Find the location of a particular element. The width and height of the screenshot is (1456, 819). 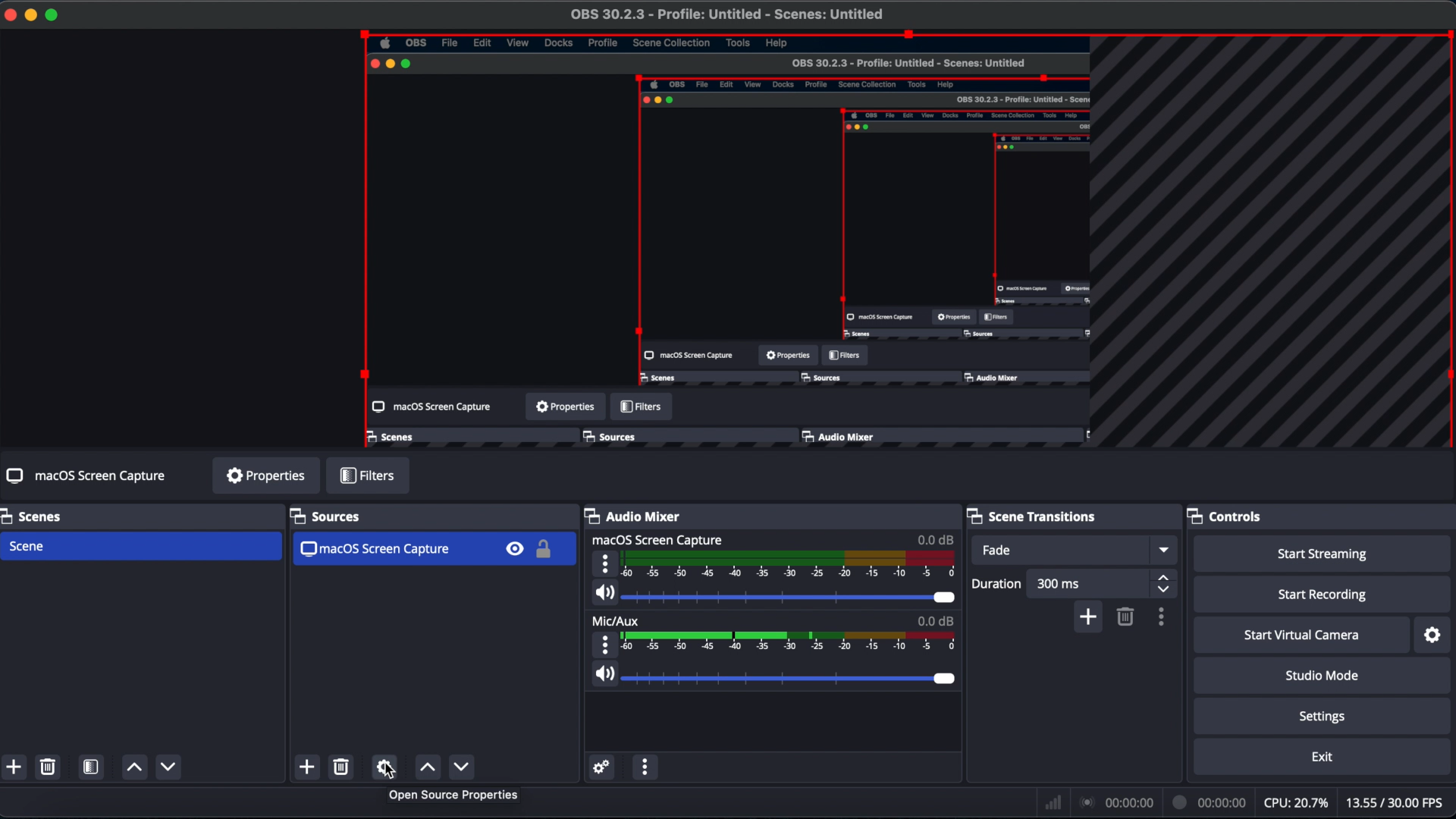

full screen mode is located at coordinates (53, 16).